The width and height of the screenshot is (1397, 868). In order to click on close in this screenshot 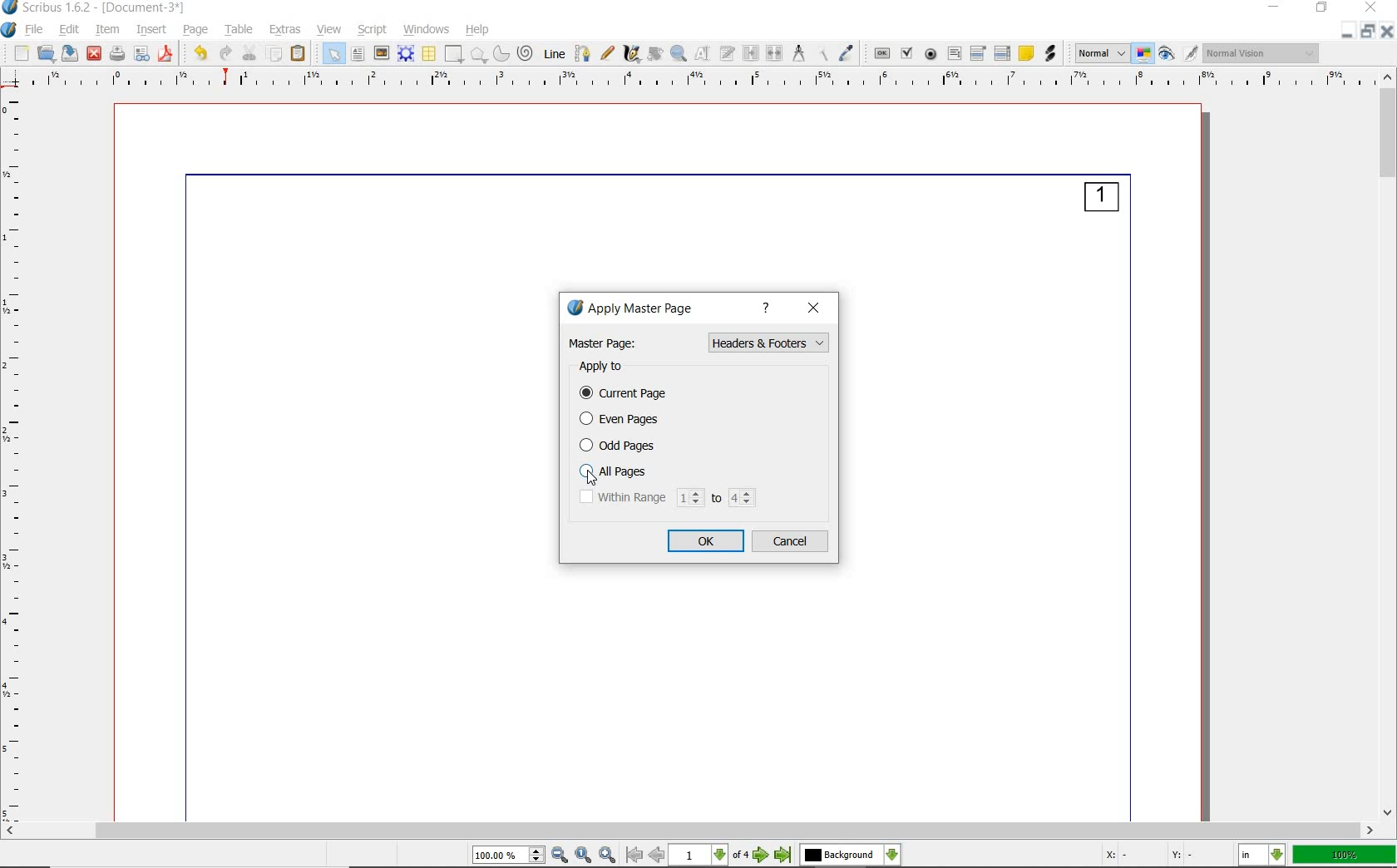, I will do `click(95, 55)`.